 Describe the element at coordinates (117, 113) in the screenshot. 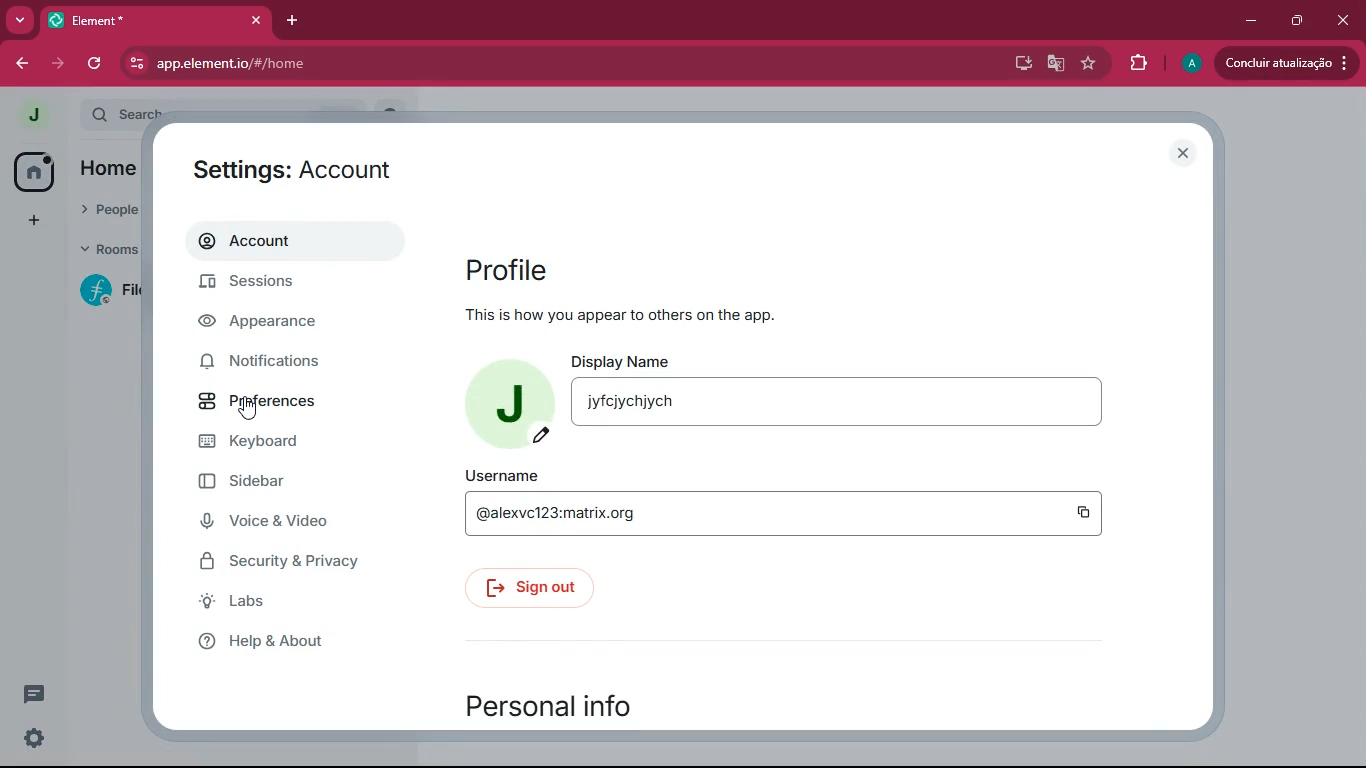

I see `search` at that location.